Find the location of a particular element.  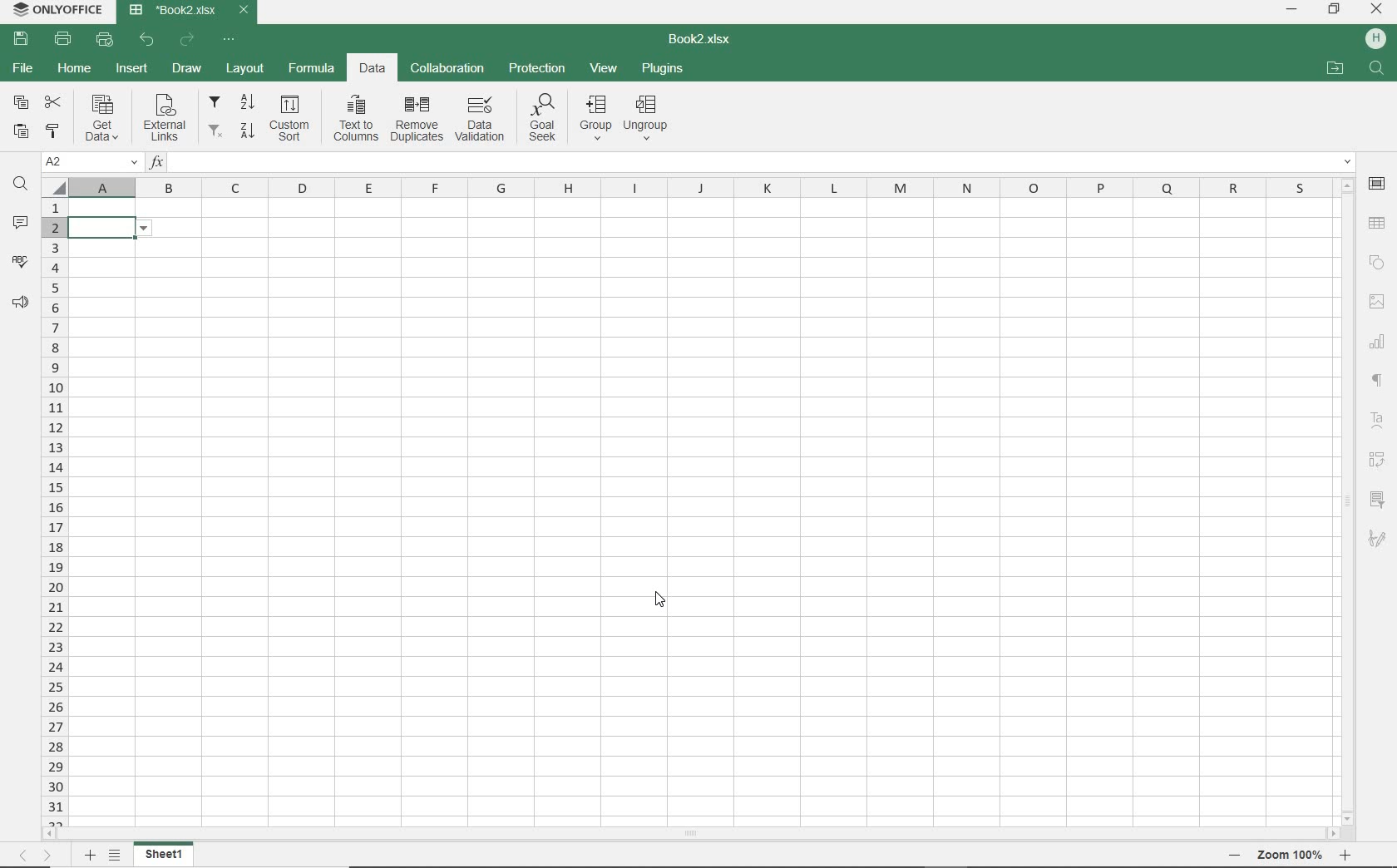

group is located at coordinates (595, 116).